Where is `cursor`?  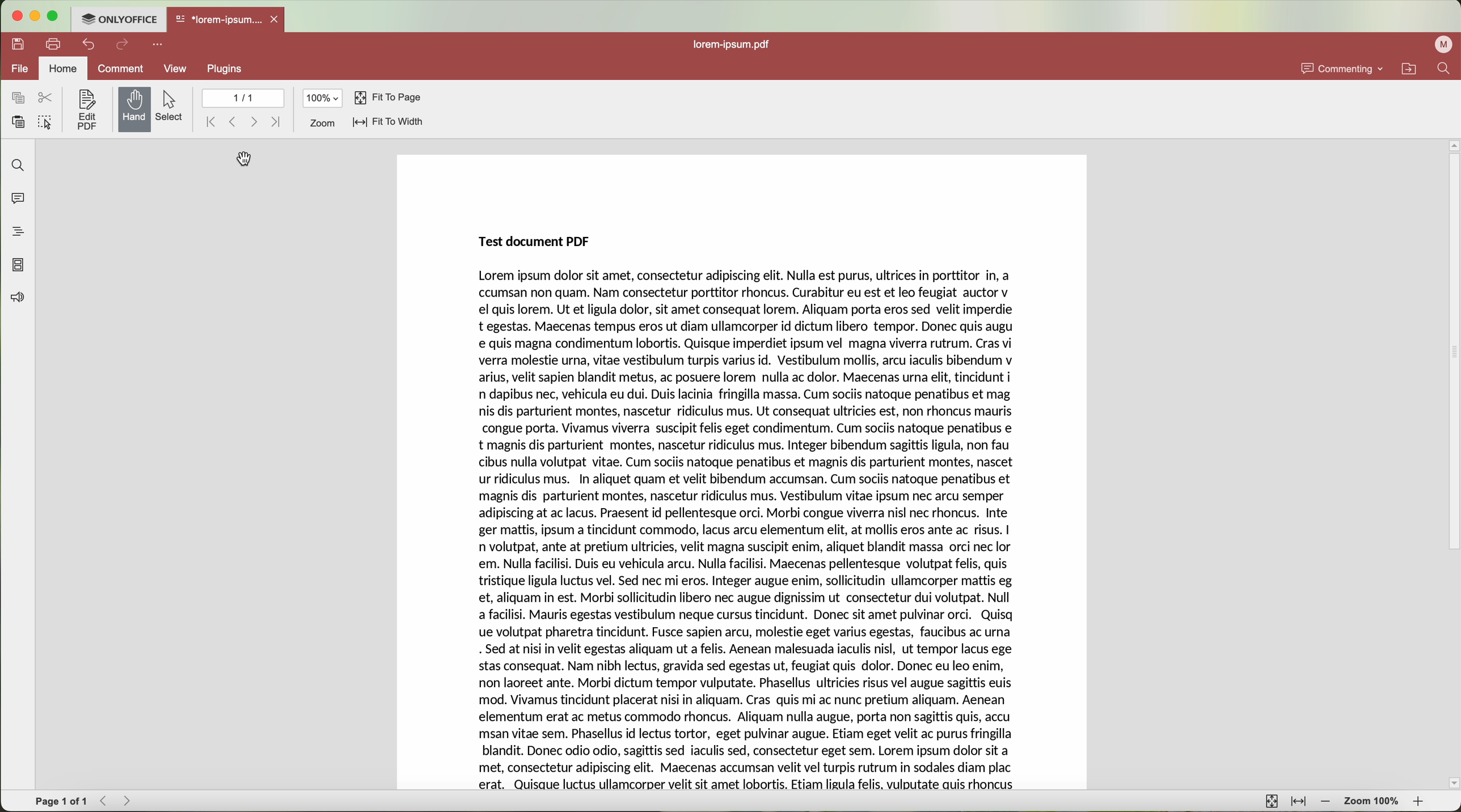
cursor is located at coordinates (247, 159).